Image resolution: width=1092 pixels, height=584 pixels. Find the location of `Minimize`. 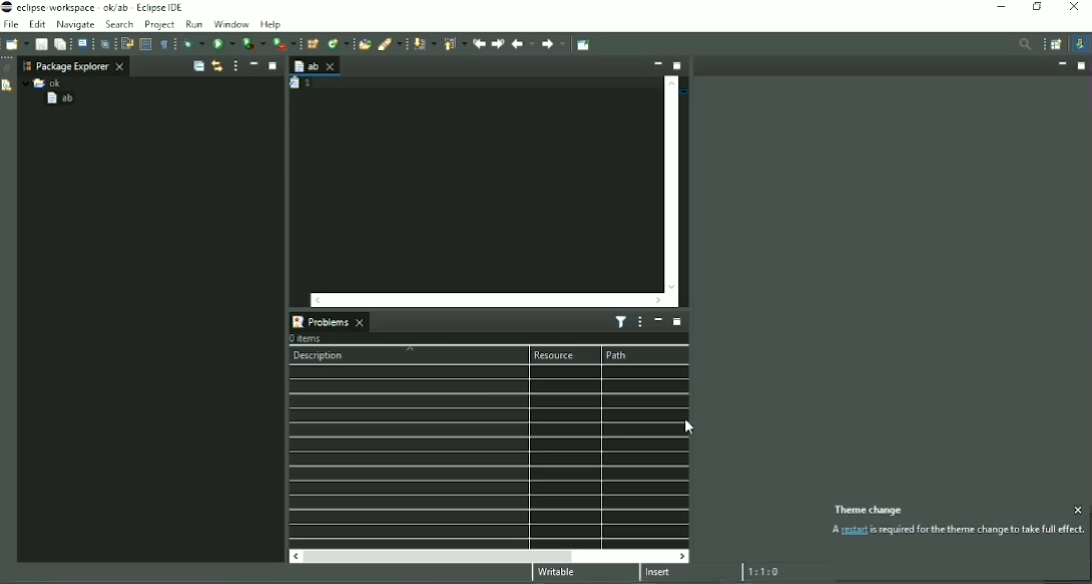

Minimize is located at coordinates (254, 63).